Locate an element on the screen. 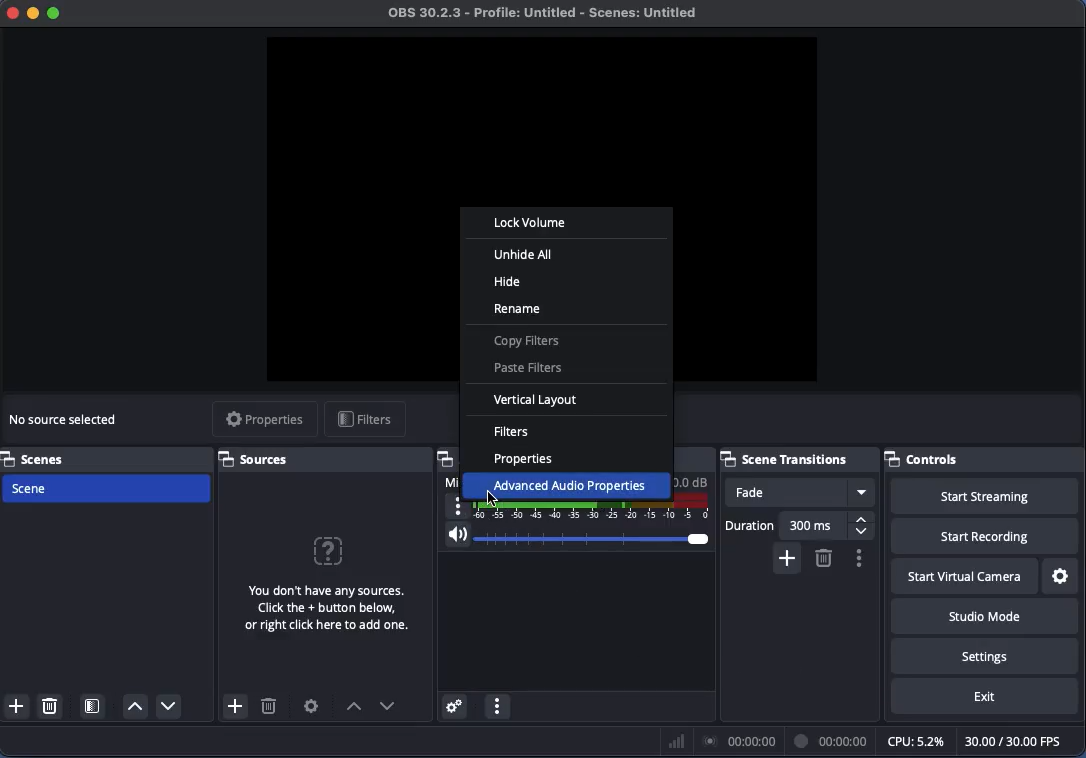 Image resolution: width=1086 pixels, height=758 pixels. Scene transitions is located at coordinates (796, 457).